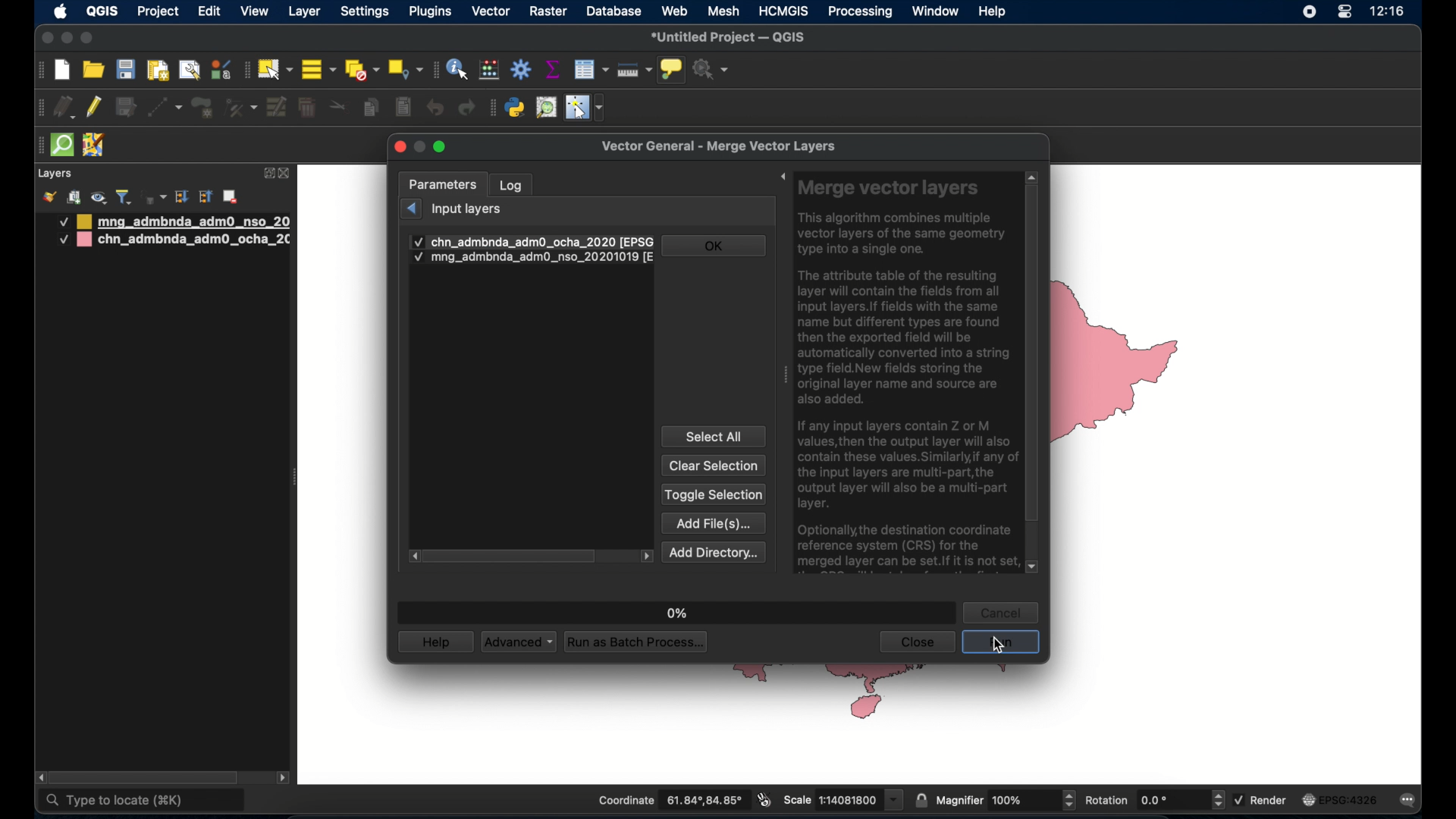 This screenshot has height=819, width=1456. I want to click on expand, so click(778, 178).